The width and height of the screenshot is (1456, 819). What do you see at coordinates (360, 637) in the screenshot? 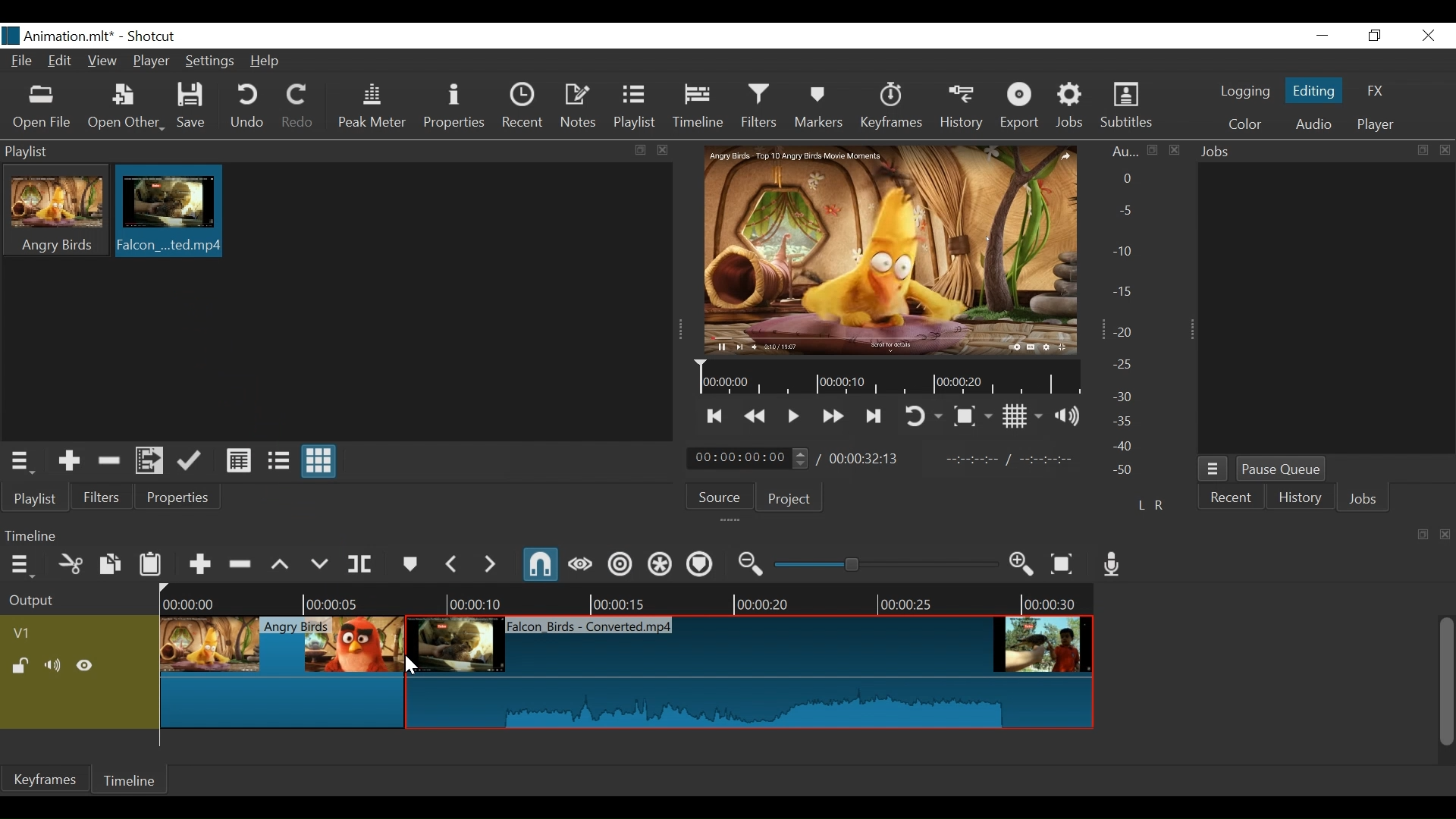
I see `Clip` at bounding box center [360, 637].